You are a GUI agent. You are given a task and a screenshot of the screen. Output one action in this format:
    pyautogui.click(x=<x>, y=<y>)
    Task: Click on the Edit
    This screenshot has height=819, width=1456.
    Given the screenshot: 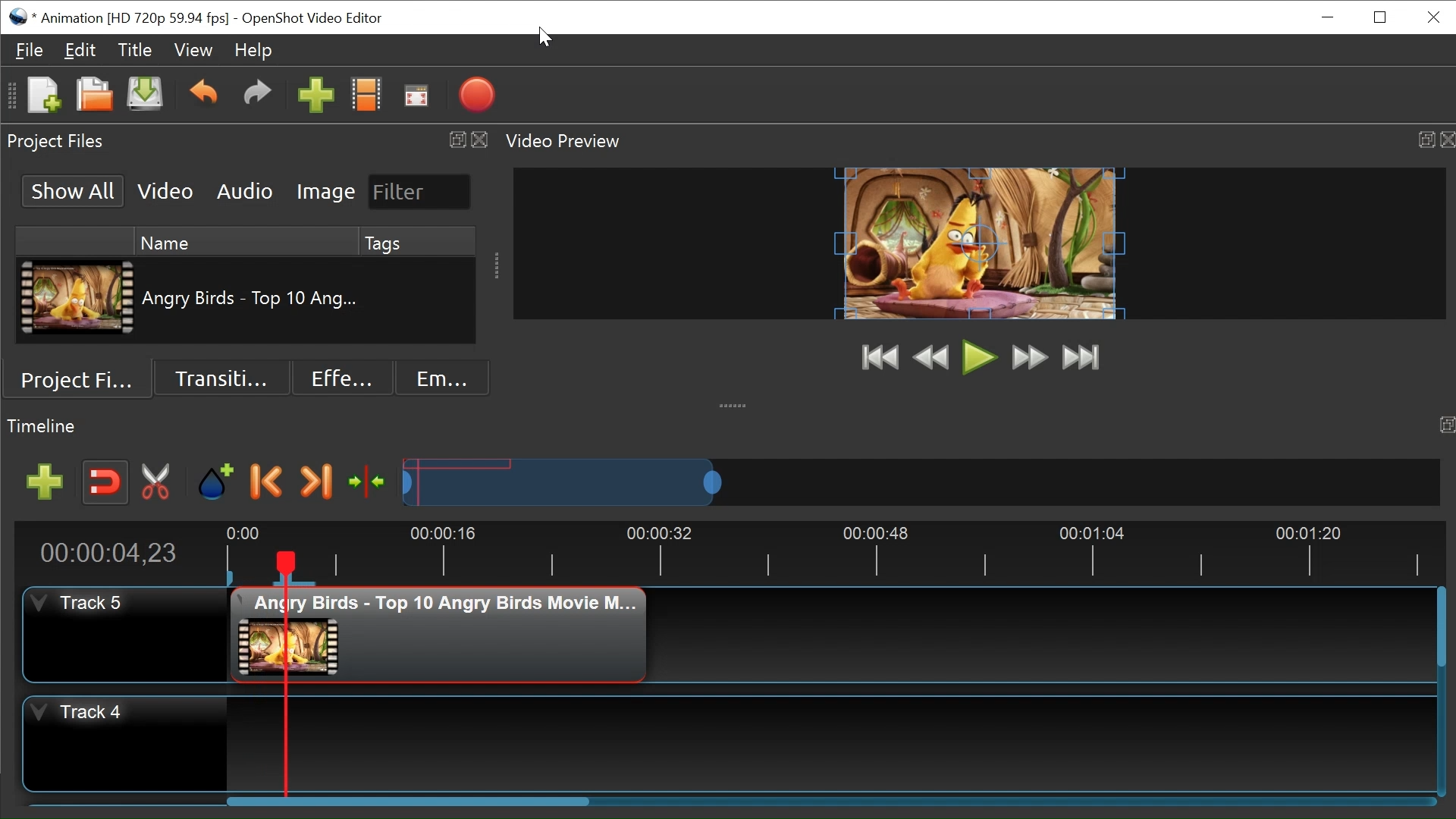 What is the action you would take?
    pyautogui.click(x=80, y=49)
    